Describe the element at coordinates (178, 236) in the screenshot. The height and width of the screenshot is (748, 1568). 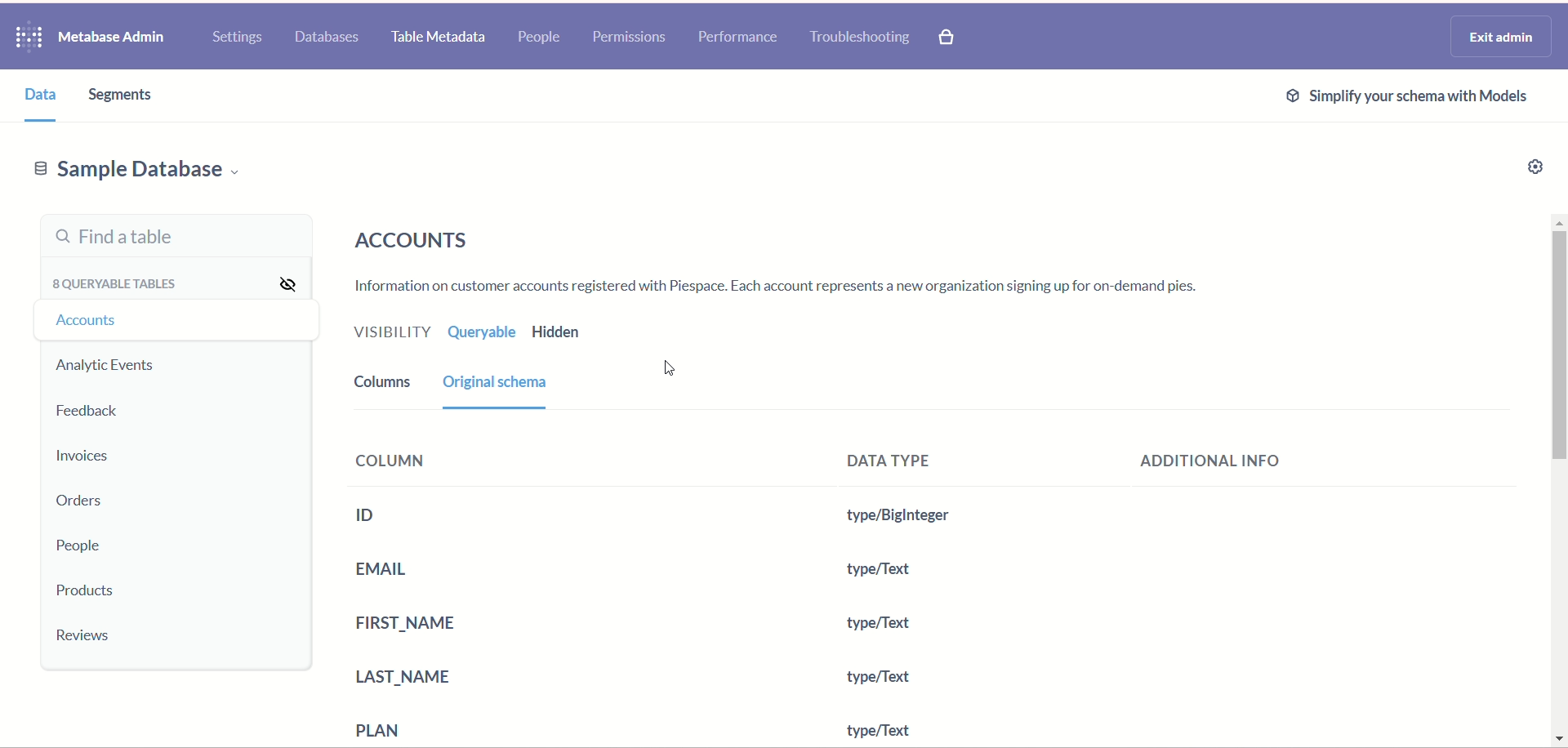
I see `find a table` at that location.